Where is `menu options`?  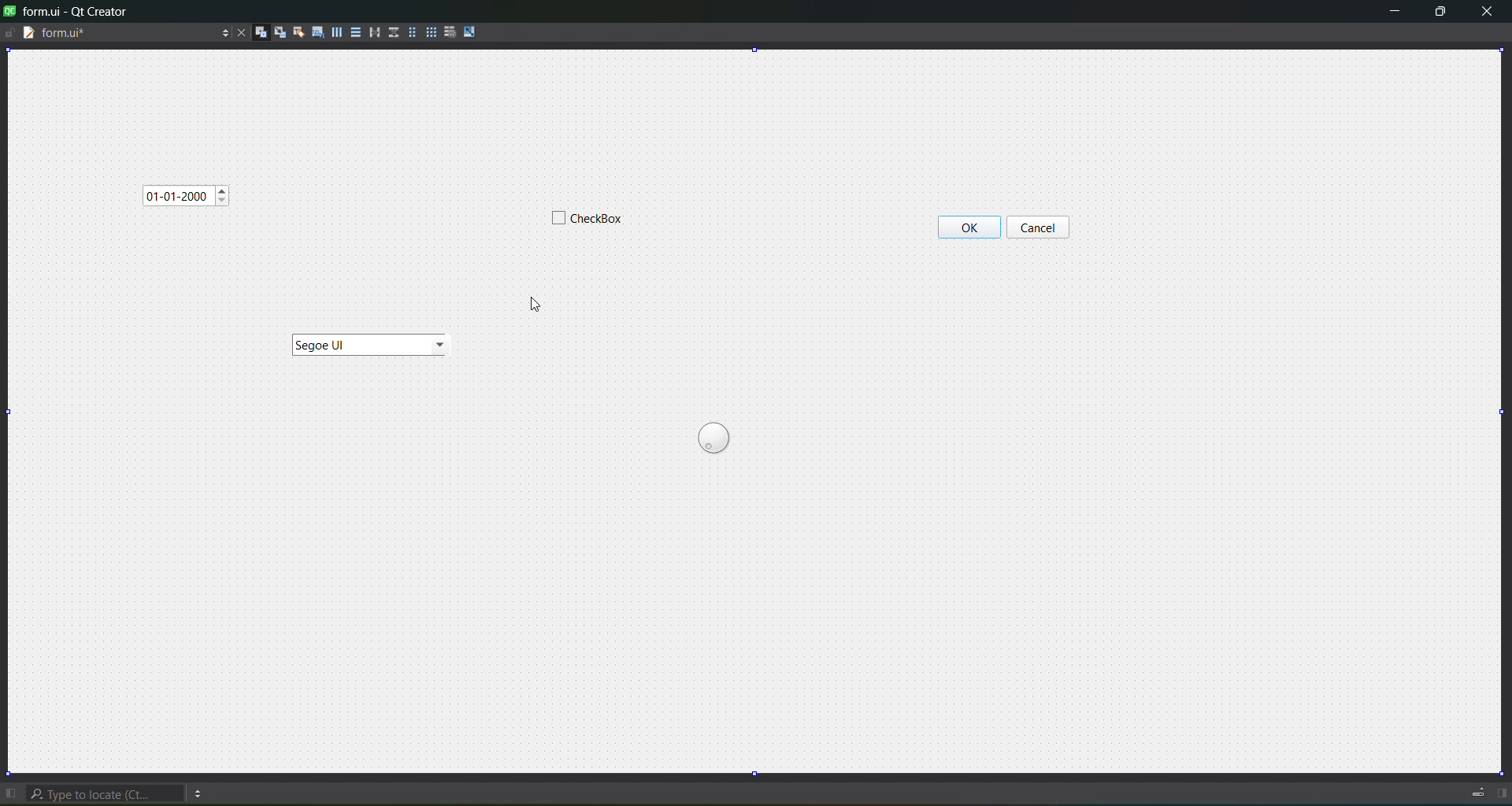
menu options is located at coordinates (202, 791).